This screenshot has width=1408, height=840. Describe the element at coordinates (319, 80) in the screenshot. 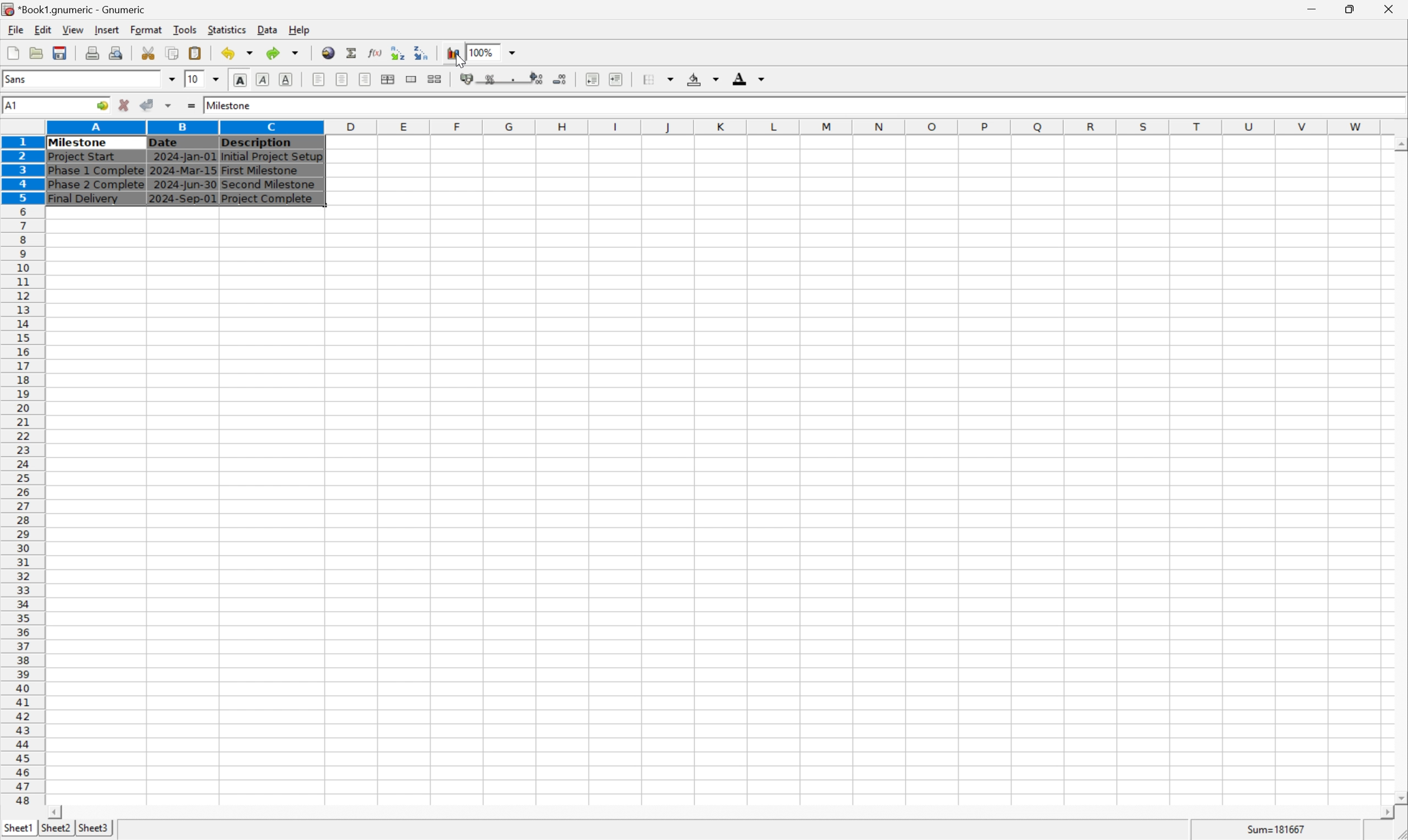

I see `align left` at that location.